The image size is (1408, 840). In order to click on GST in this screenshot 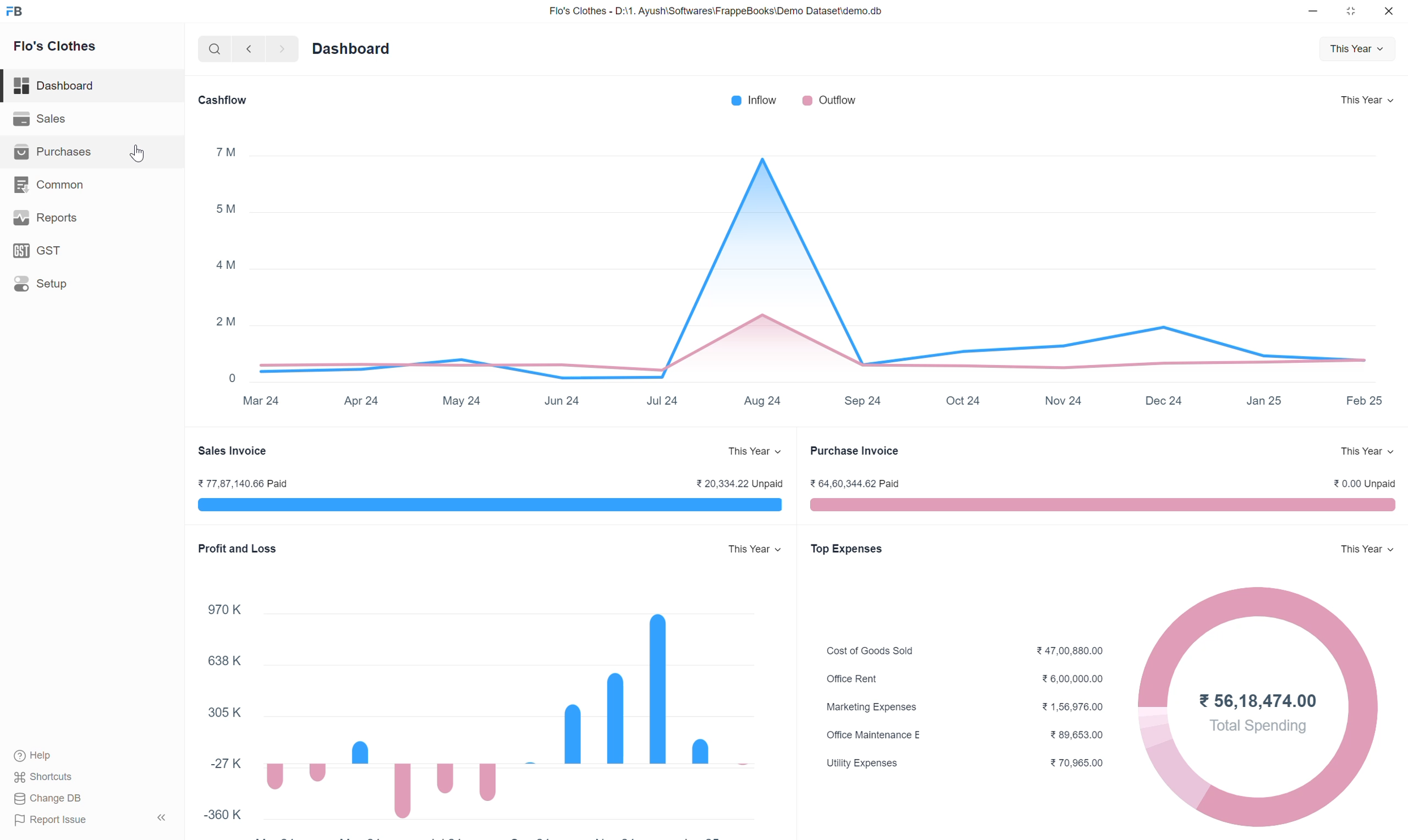, I will do `click(43, 251)`.